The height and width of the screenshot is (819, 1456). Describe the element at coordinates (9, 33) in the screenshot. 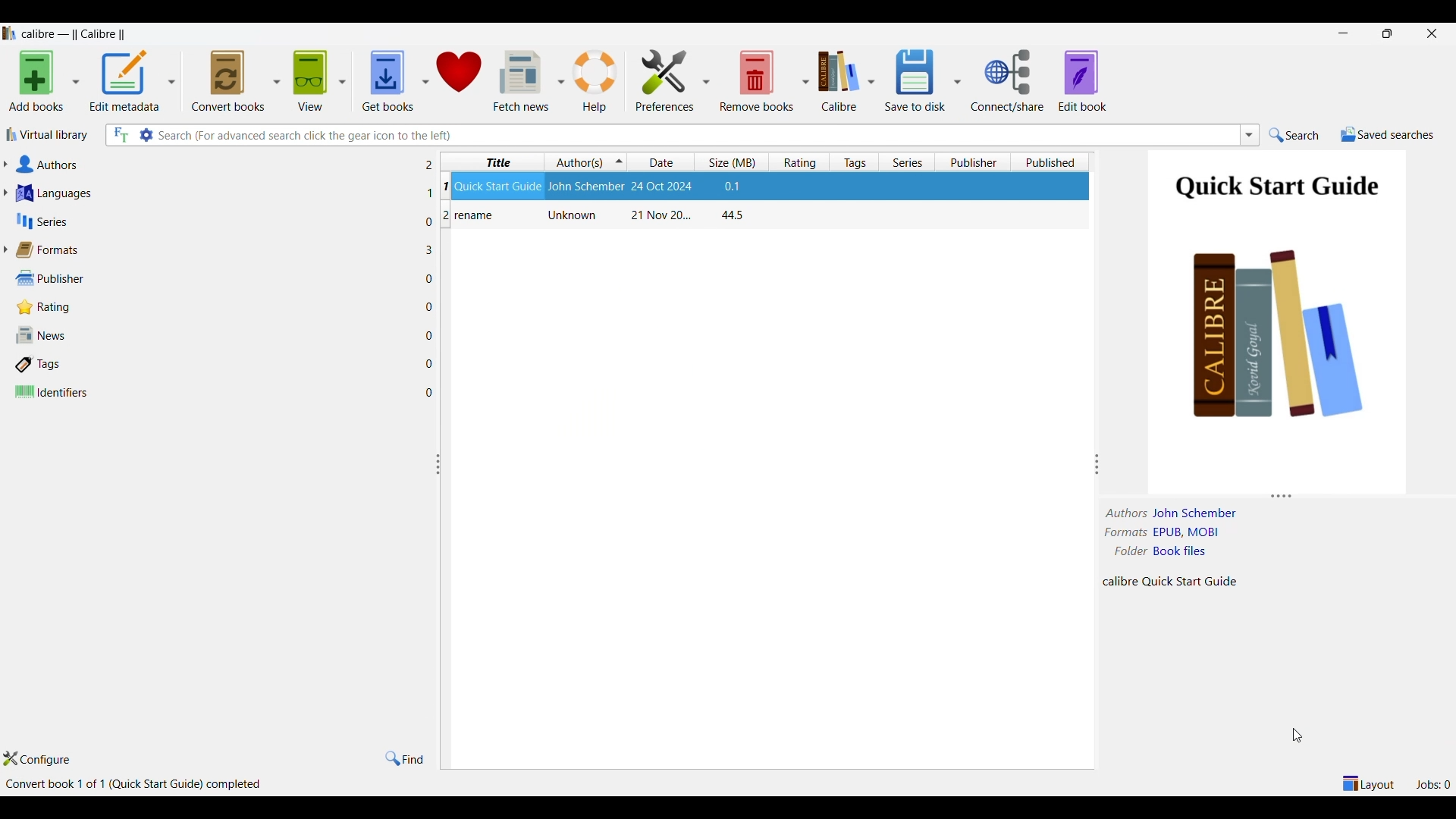

I see `Software logo` at that location.